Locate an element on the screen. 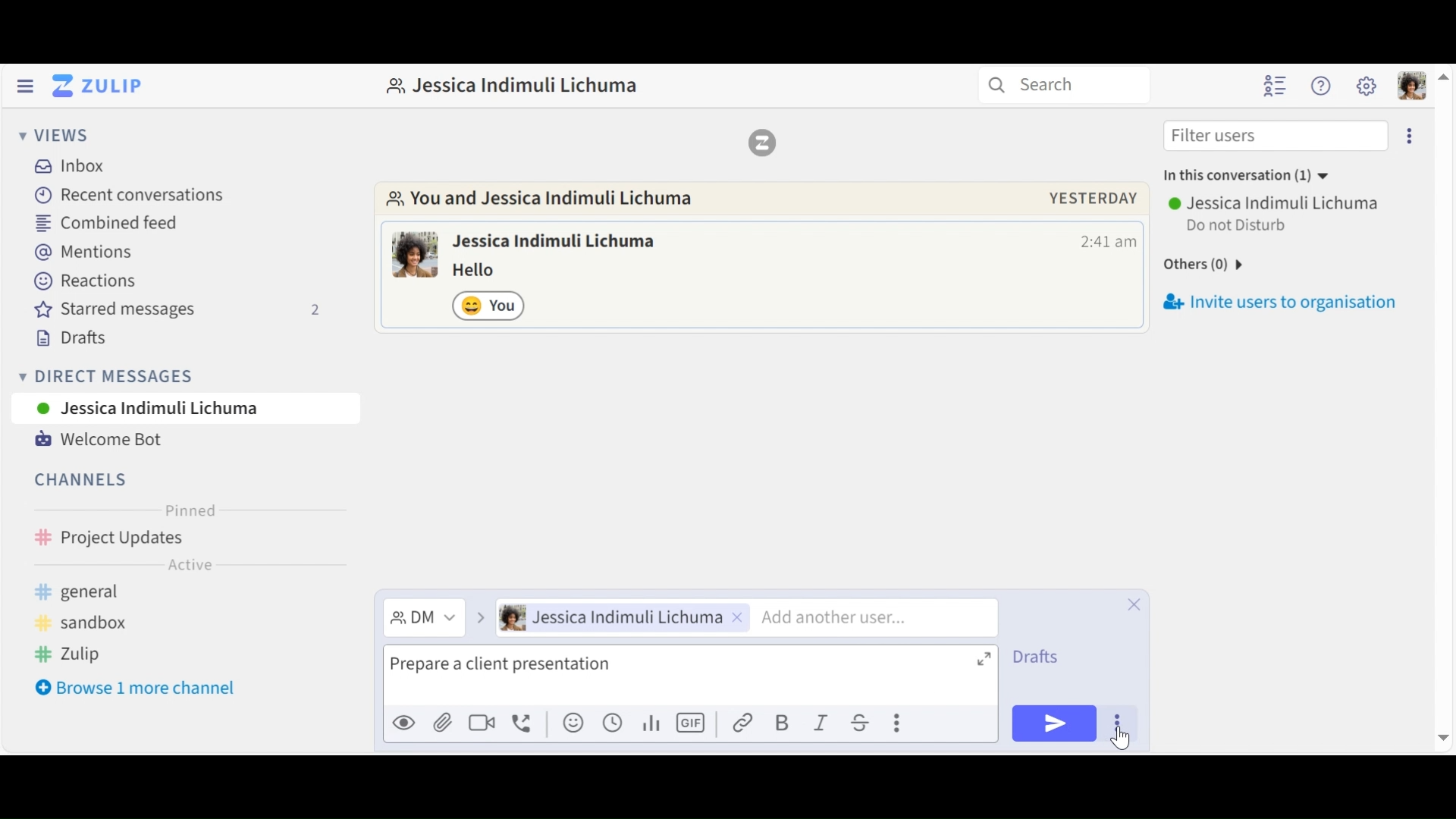  Add Video call is located at coordinates (485, 723).